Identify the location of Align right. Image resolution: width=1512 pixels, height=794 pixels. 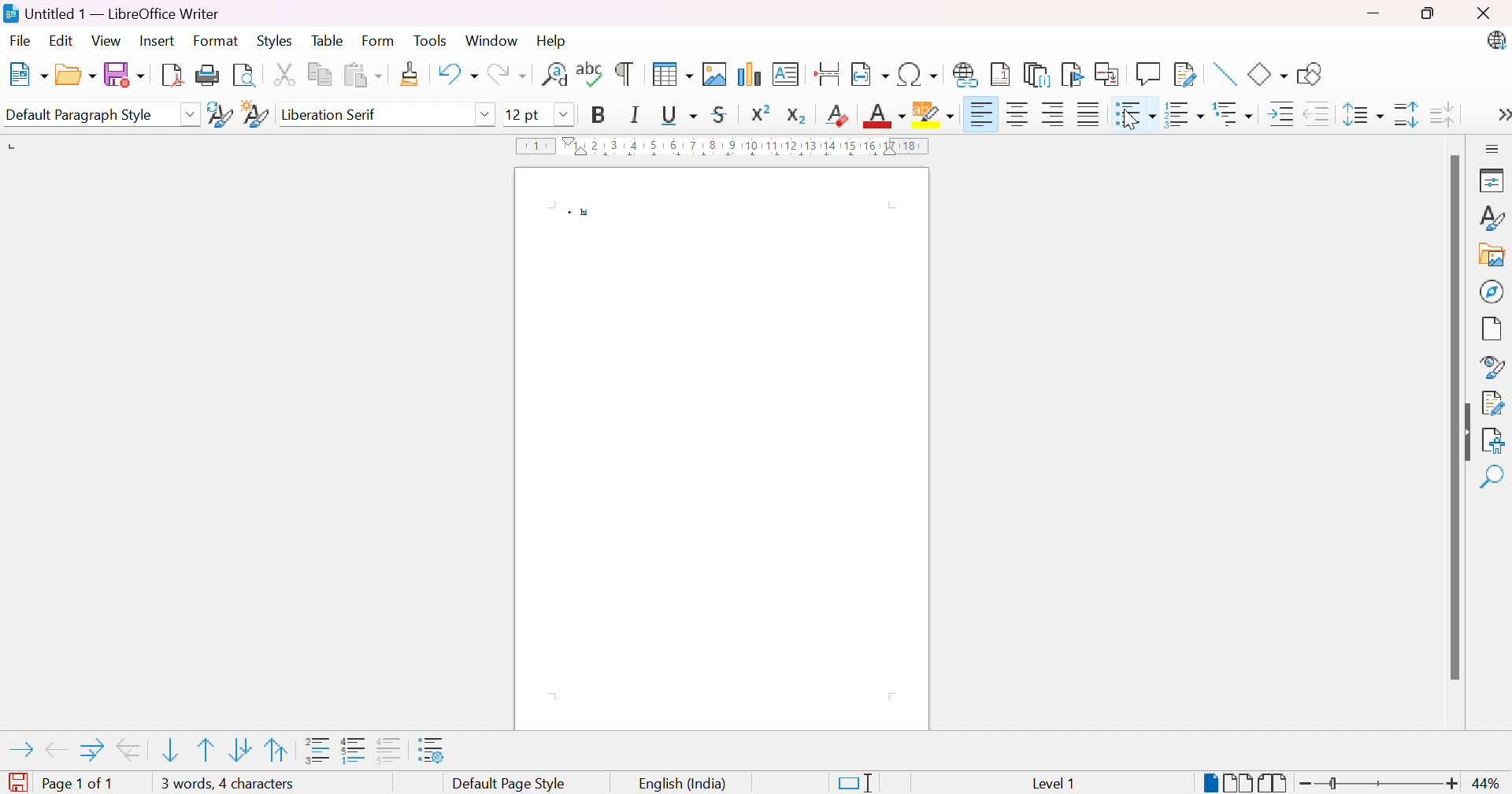
(985, 114).